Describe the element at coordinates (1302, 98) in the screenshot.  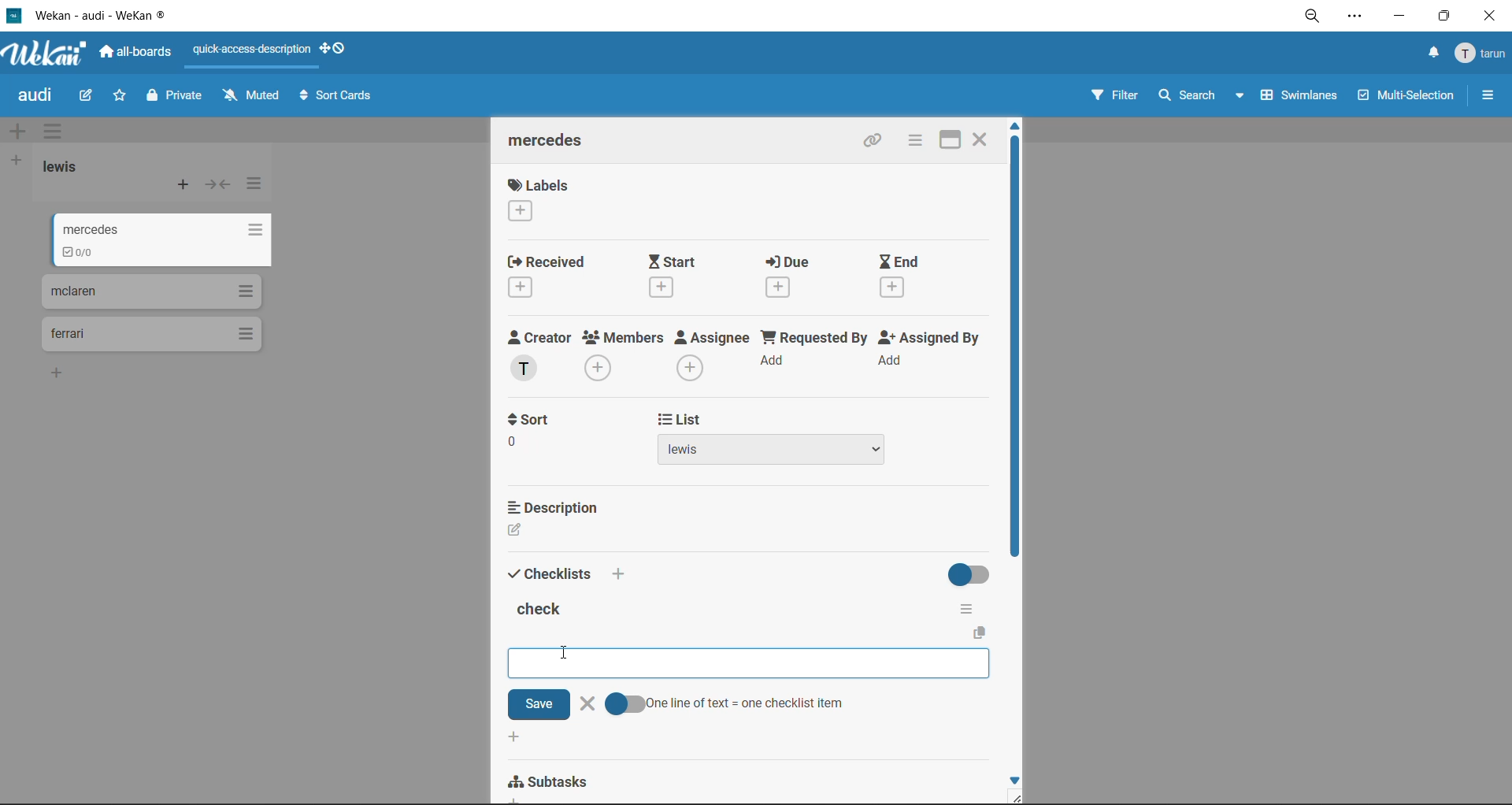
I see `swimlanes` at that location.